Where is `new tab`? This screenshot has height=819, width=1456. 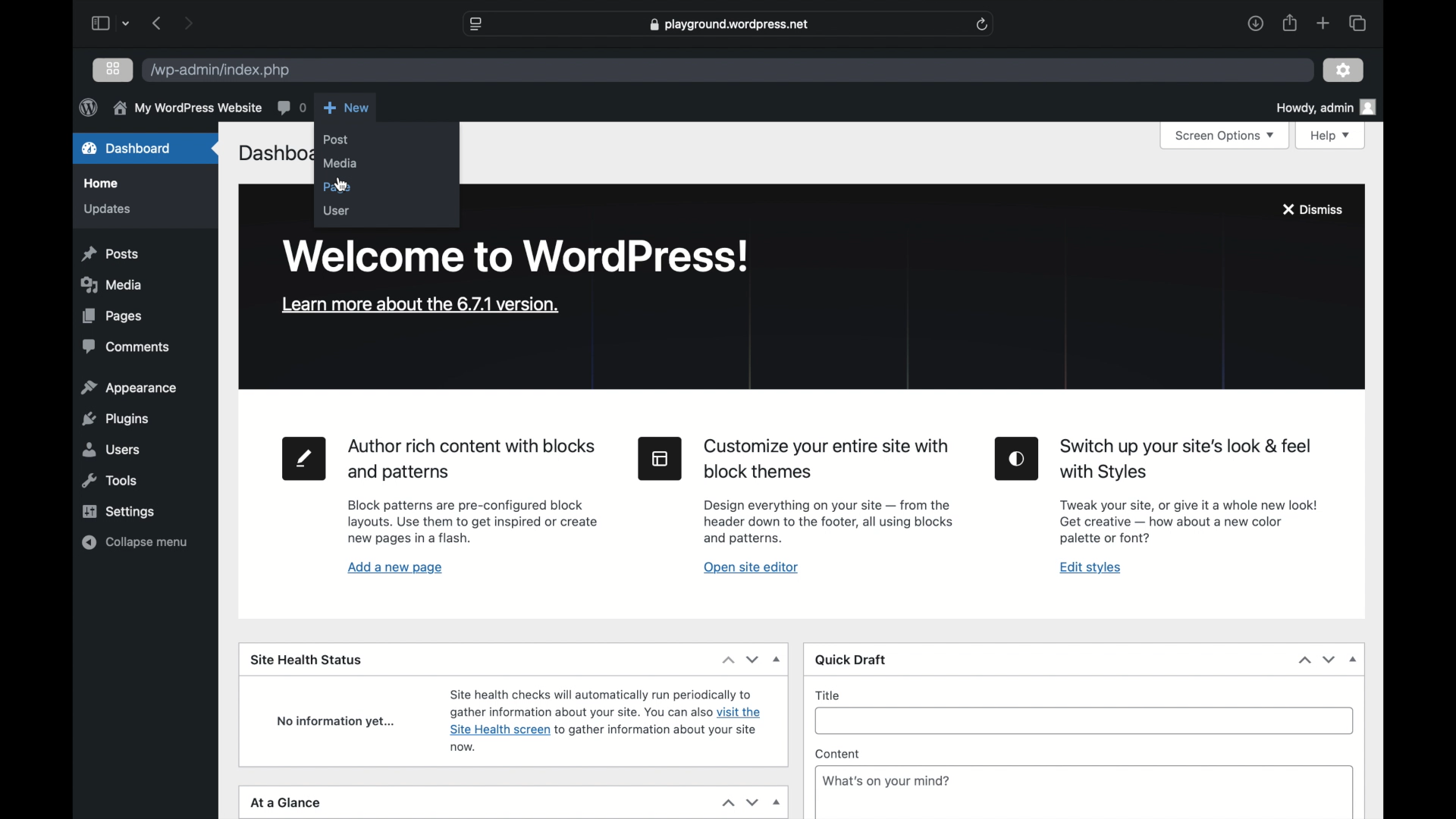
new tab is located at coordinates (1324, 24).